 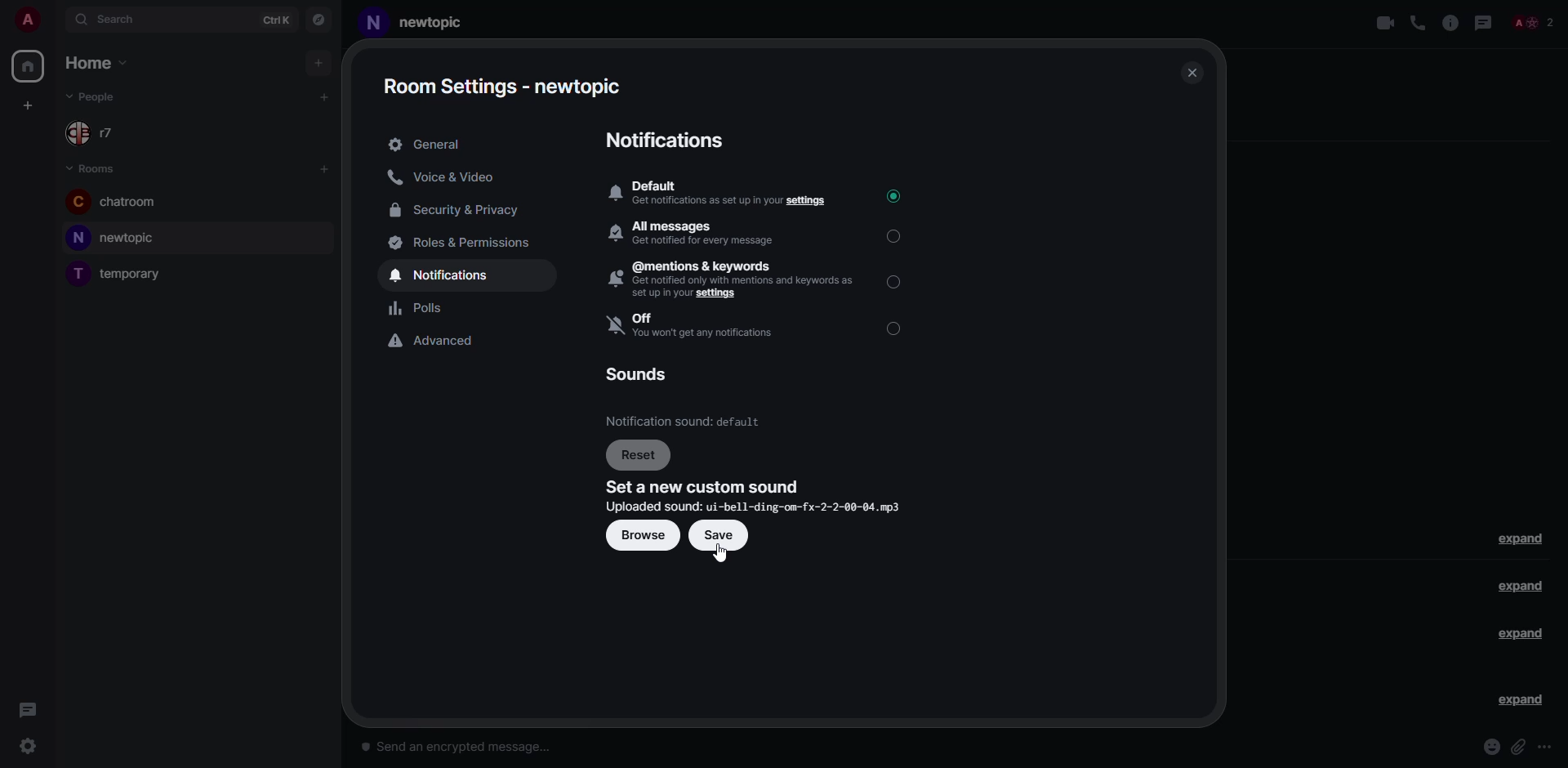 I want to click on sounds, so click(x=639, y=373).